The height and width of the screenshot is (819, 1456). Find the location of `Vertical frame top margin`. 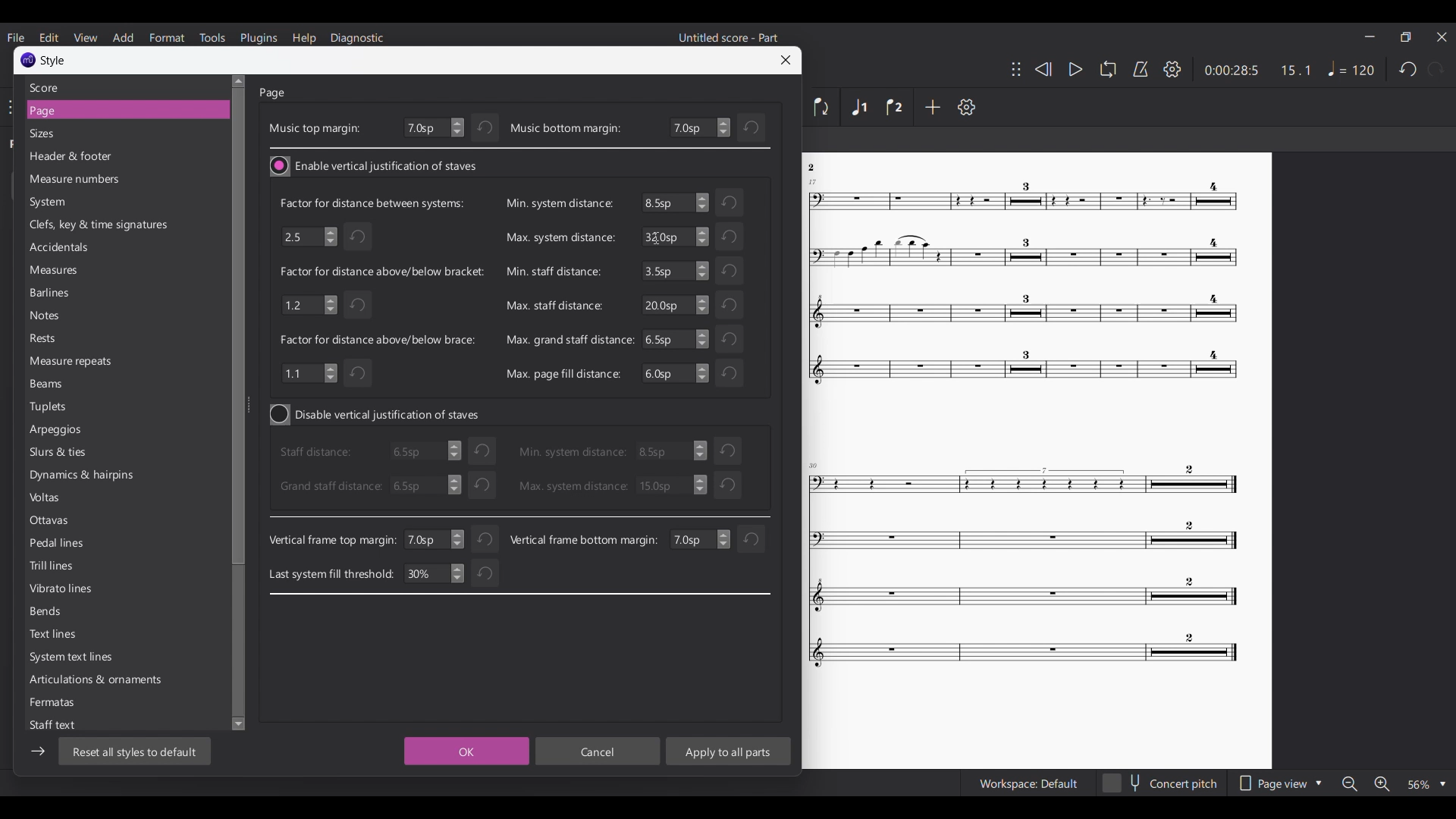

Vertical frame top margin is located at coordinates (331, 541).